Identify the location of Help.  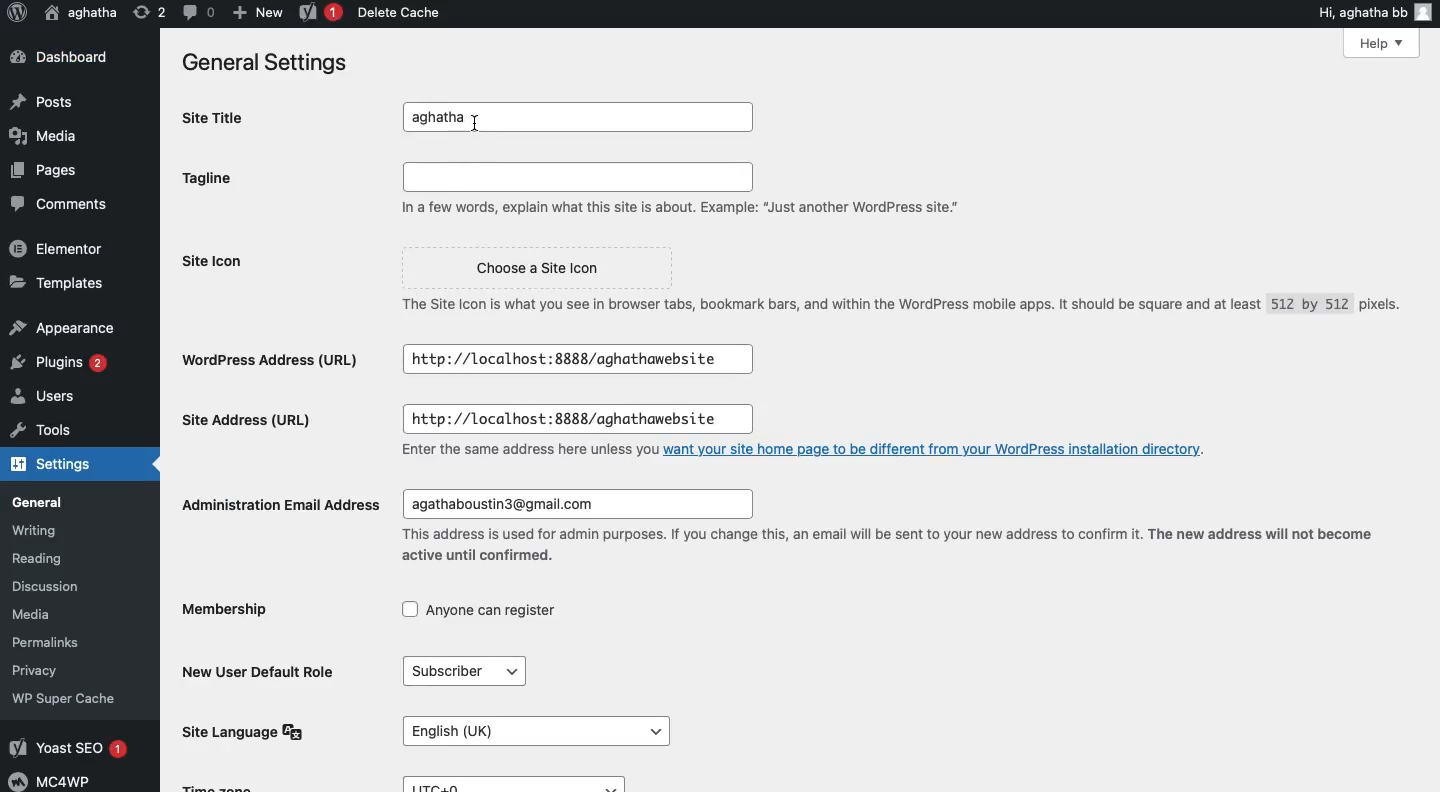
(1383, 43).